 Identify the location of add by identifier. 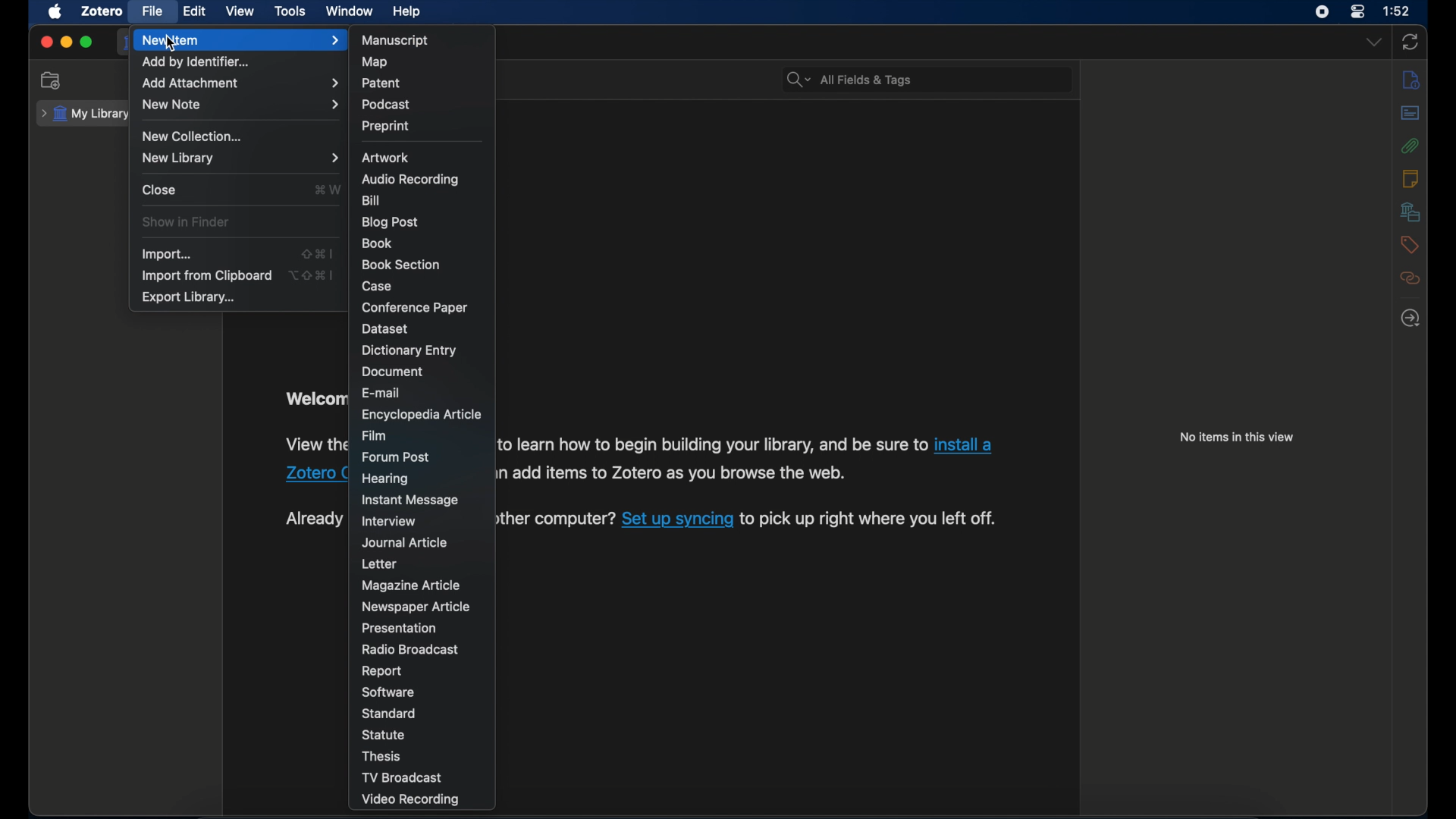
(196, 63).